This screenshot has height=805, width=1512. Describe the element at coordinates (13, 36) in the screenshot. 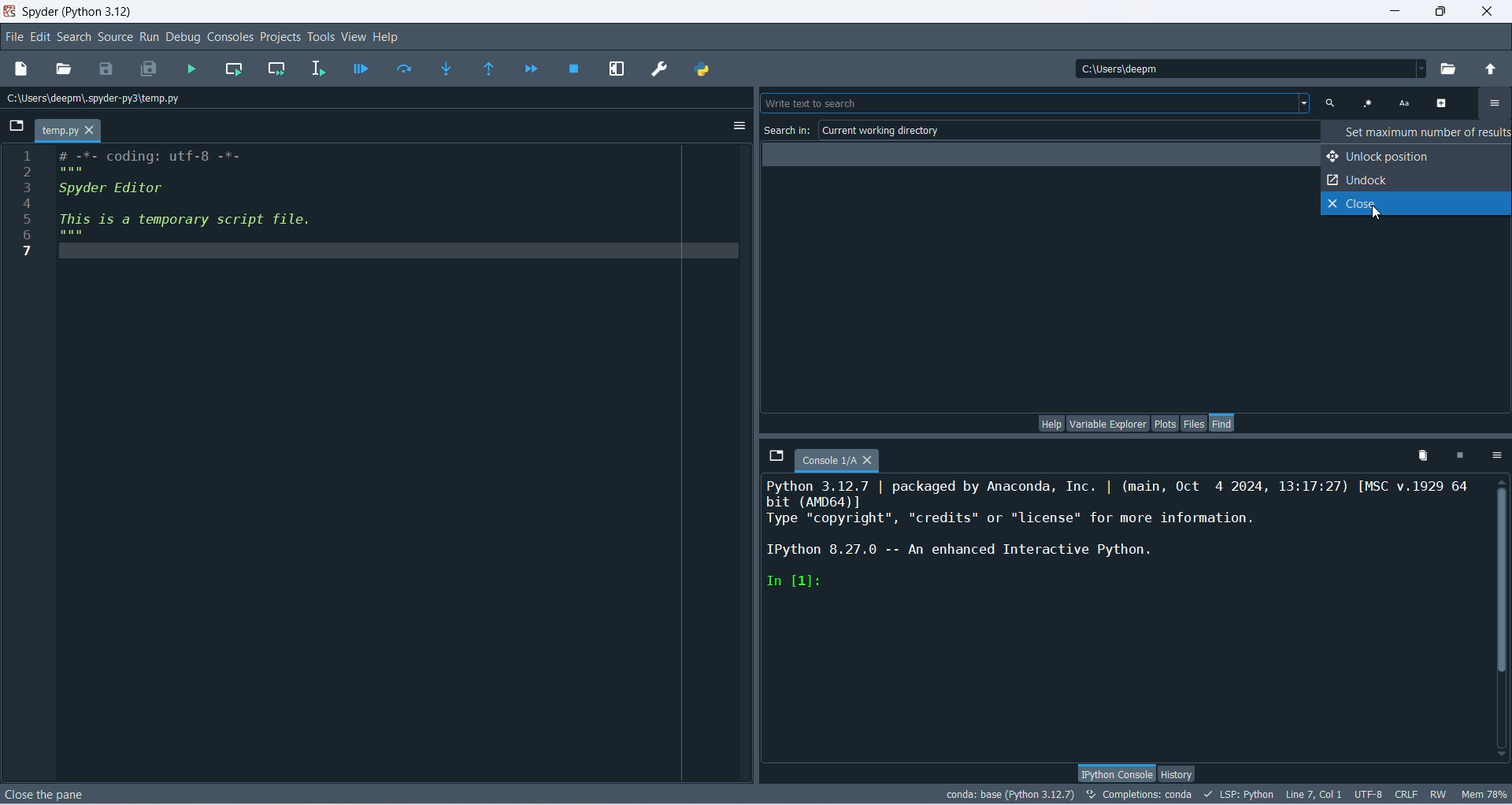

I see `file` at that location.